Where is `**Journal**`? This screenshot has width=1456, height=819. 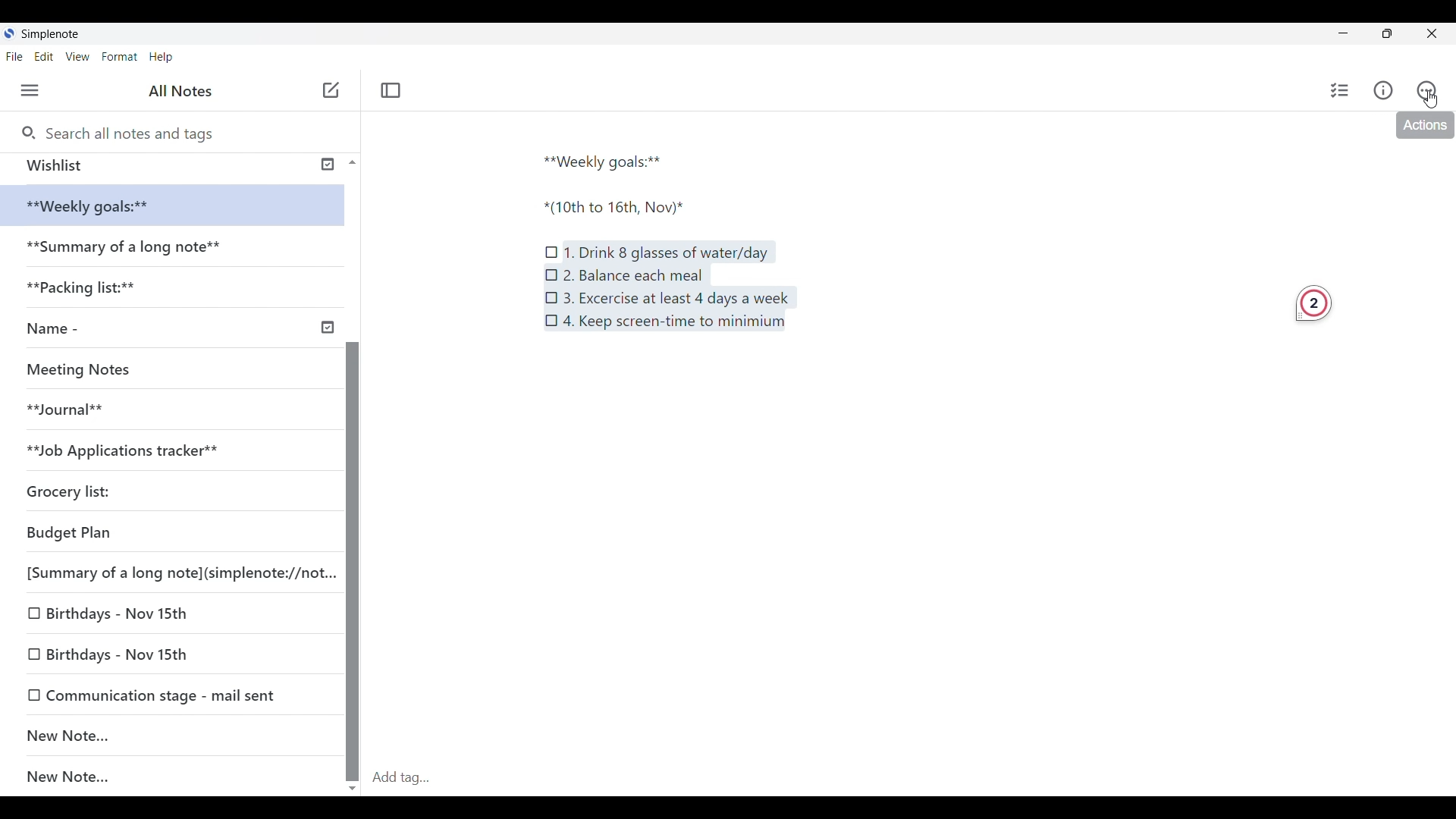
**Journal** is located at coordinates (73, 407).